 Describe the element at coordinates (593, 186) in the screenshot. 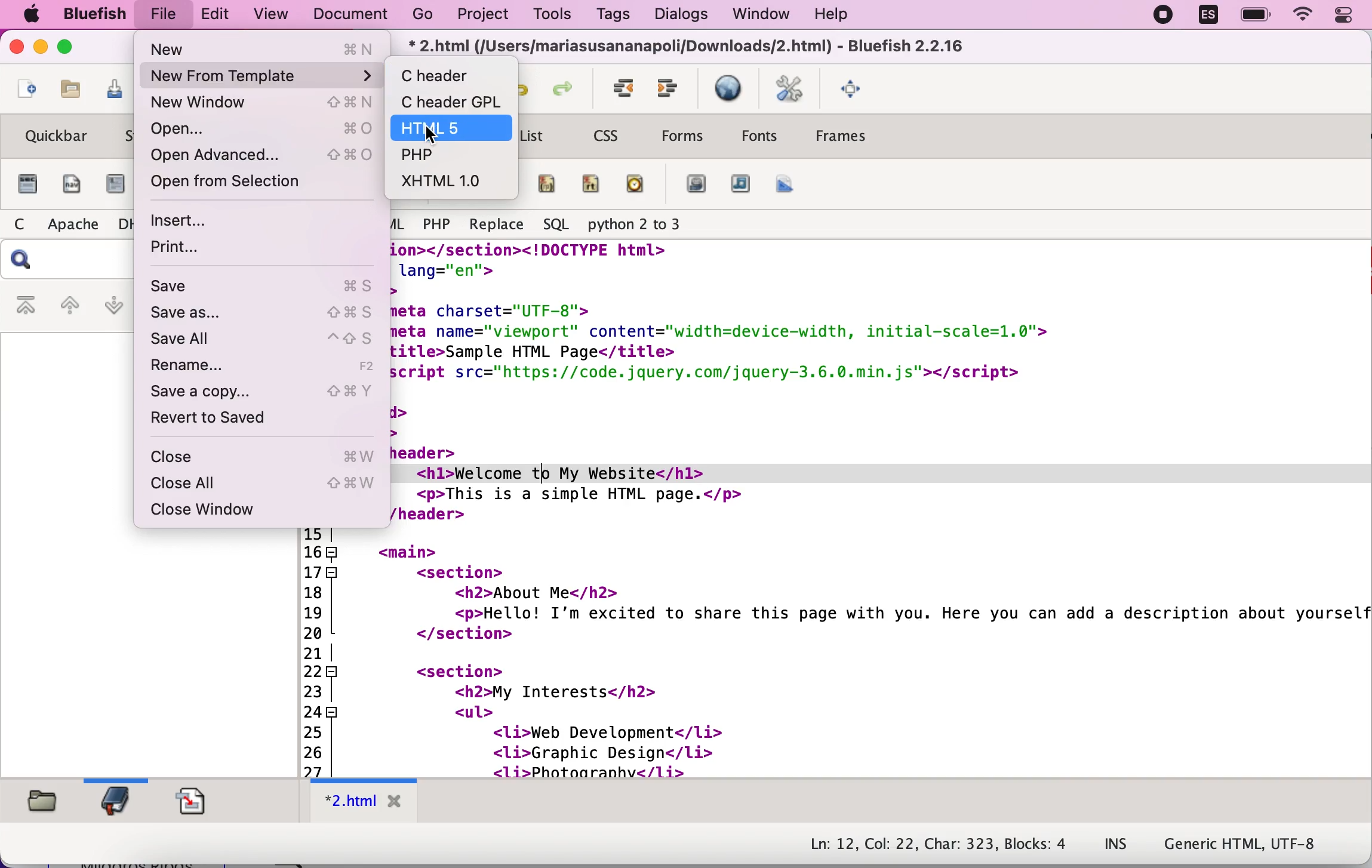

I see `ruby text` at that location.